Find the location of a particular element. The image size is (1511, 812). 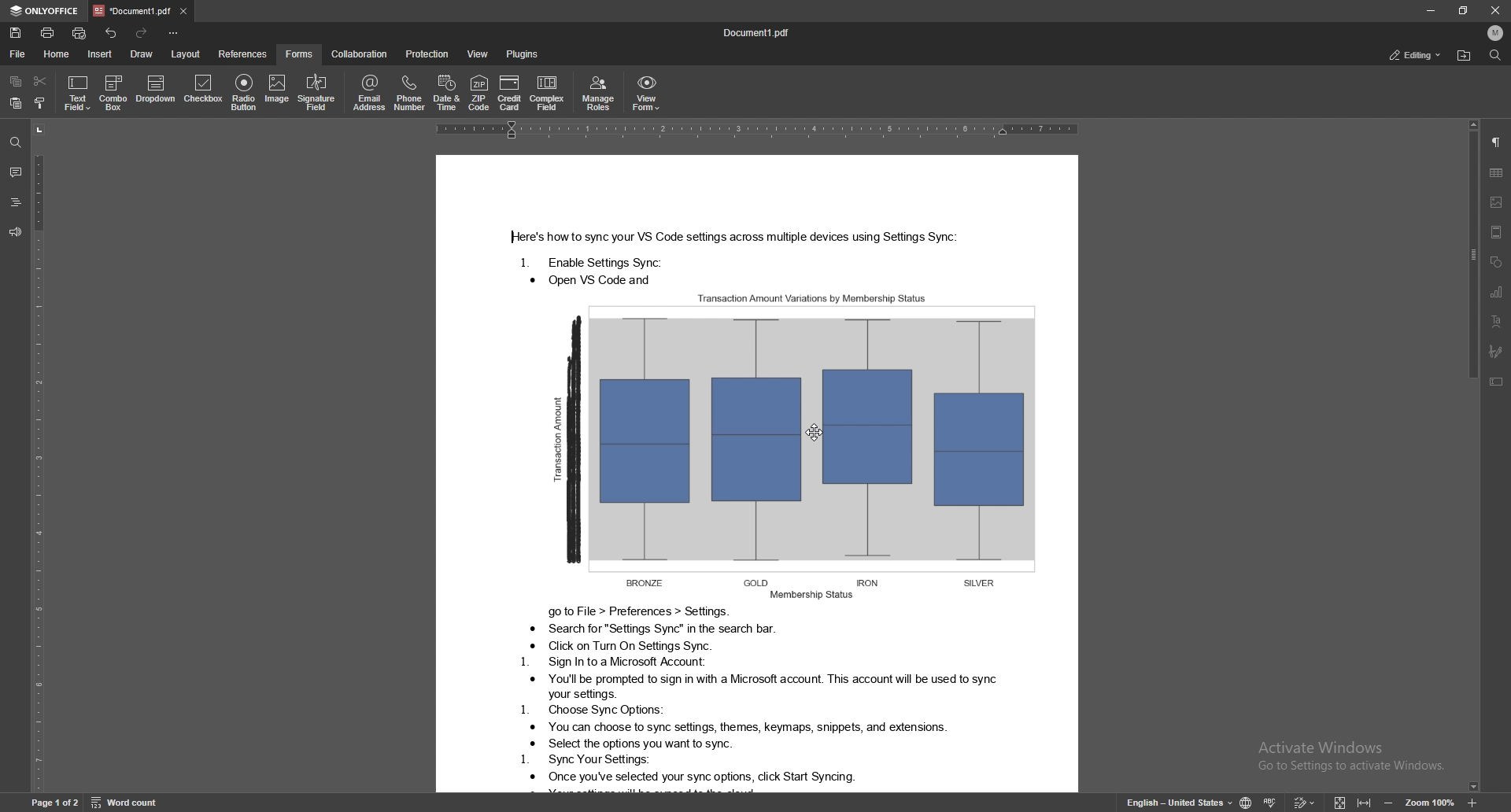

plugins is located at coordinates (524, 53).